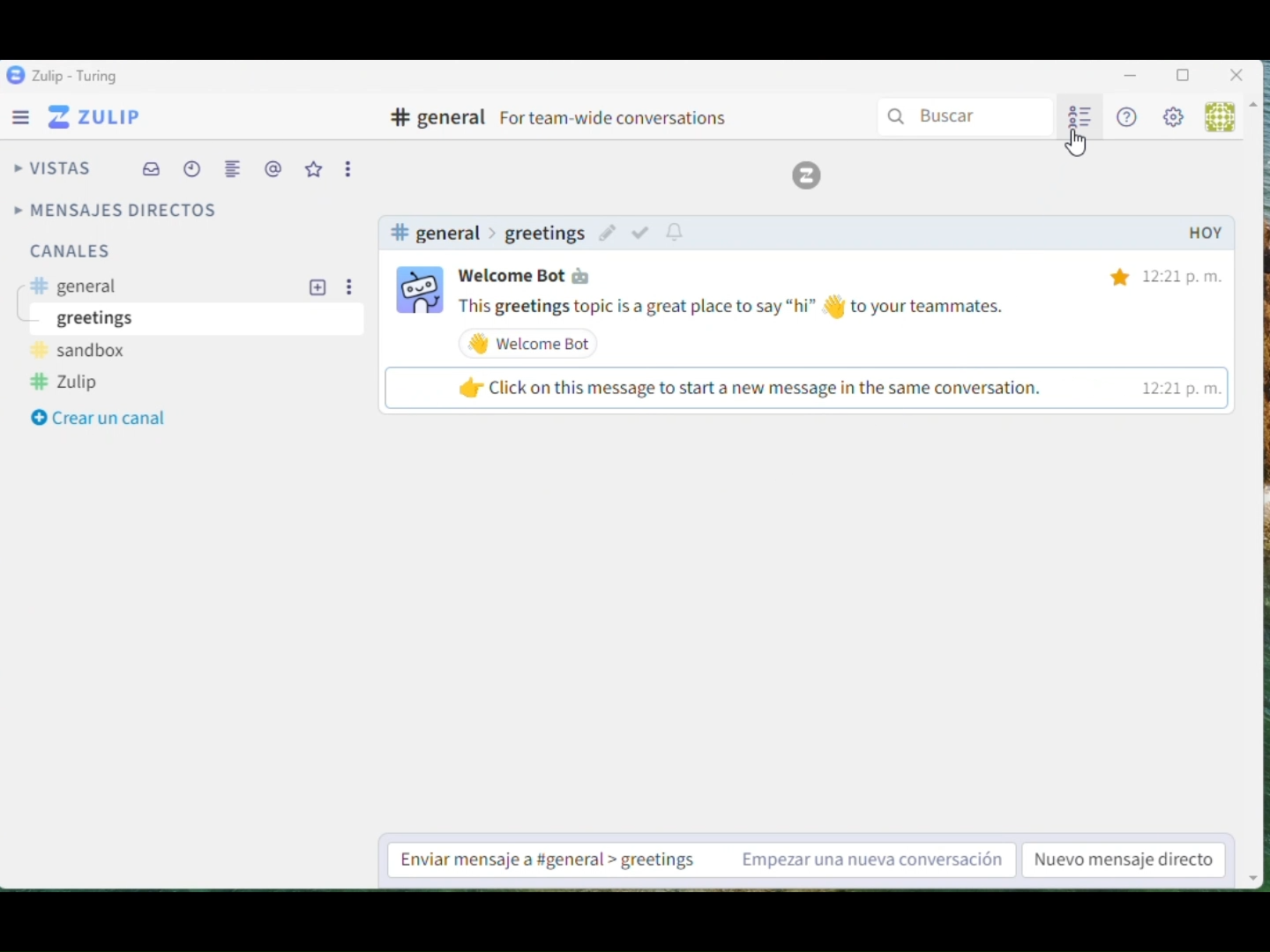  What do you see at coordinates (560, 118) in the screenshot?
I see `Channel` at bounding box center [560, 118].